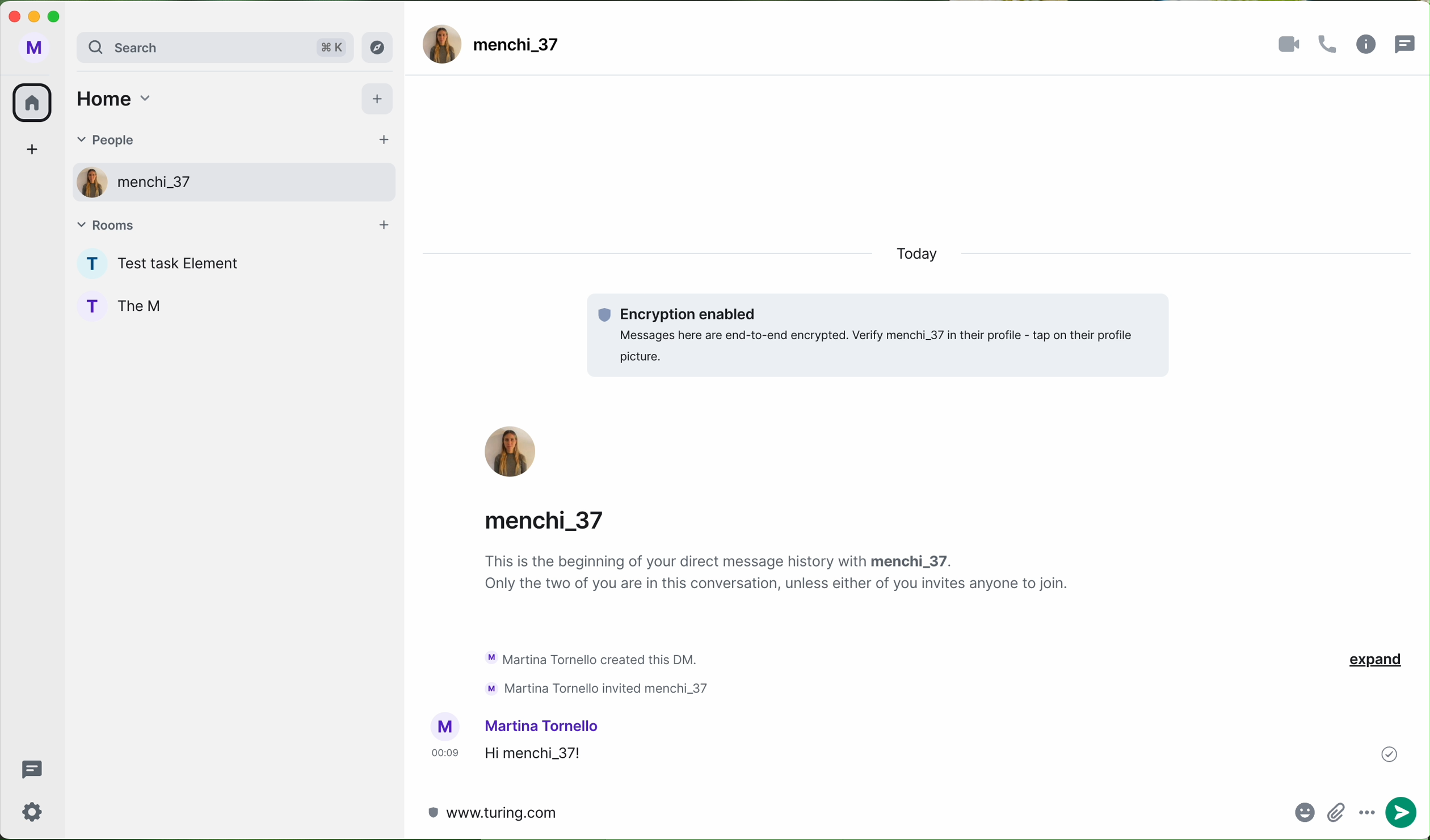 The height and width of the screenshot is (840, 1430). What do you see at coordinates (600, 672) in the screenshot?
I see `activity chat` at bounding box center [600, 672].